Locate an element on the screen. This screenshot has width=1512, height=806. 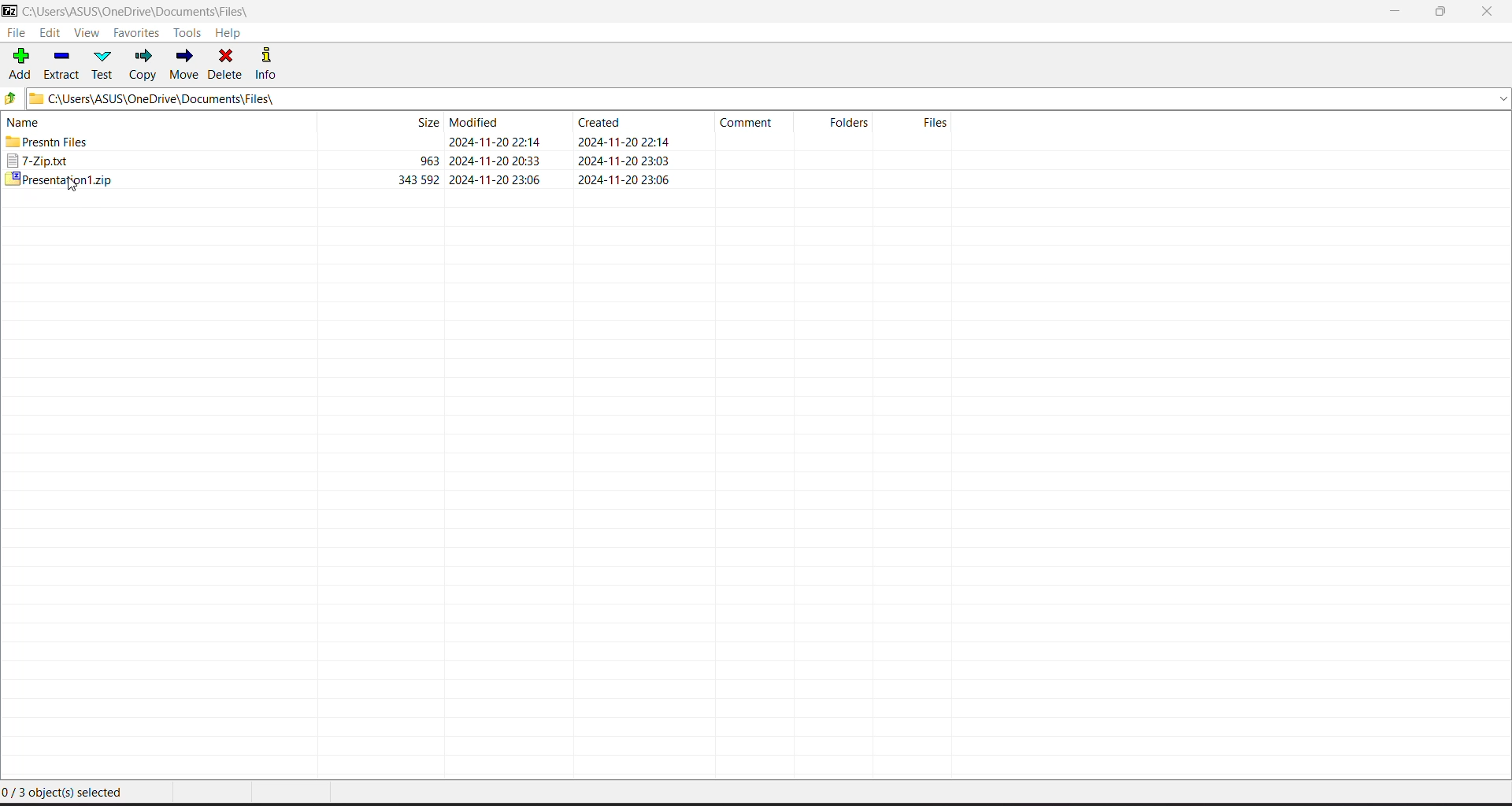
Current Folder View is located at coordinates (484, 120).